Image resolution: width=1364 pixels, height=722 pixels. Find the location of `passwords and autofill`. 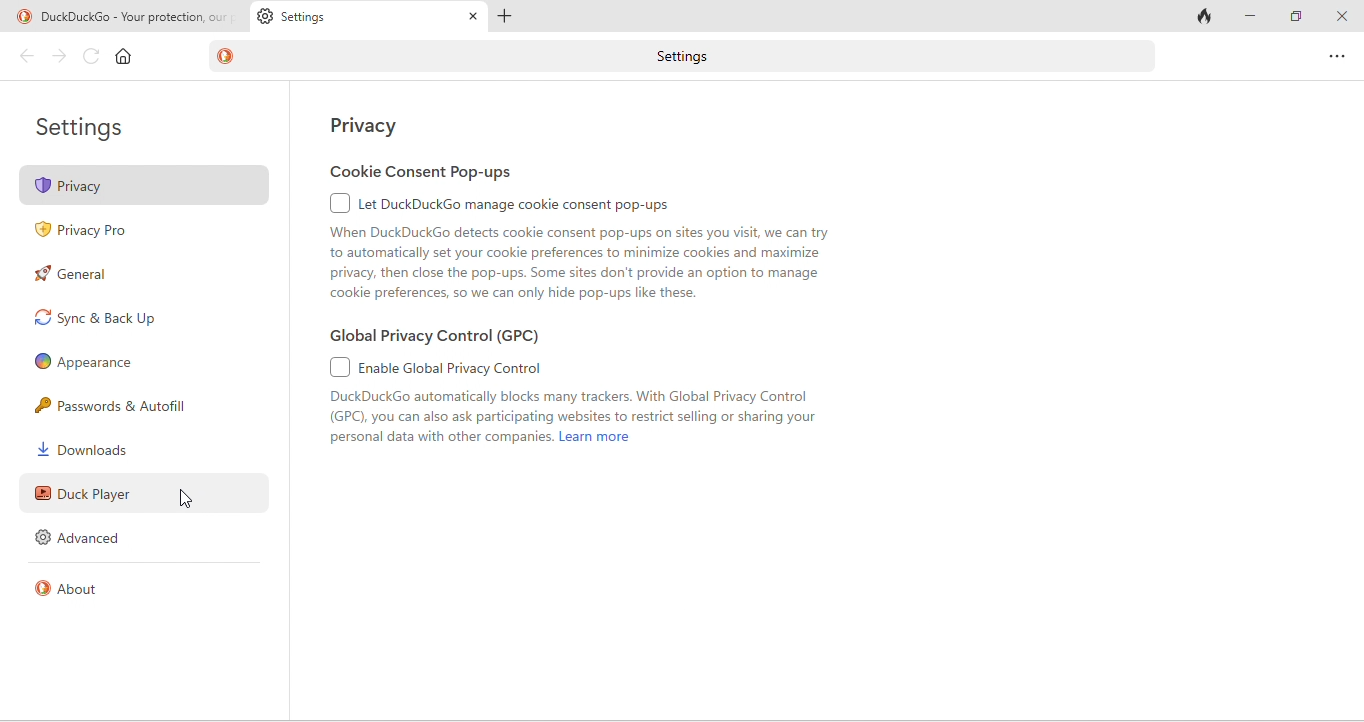

passwords and autofill is located at coordinates (130, 406).